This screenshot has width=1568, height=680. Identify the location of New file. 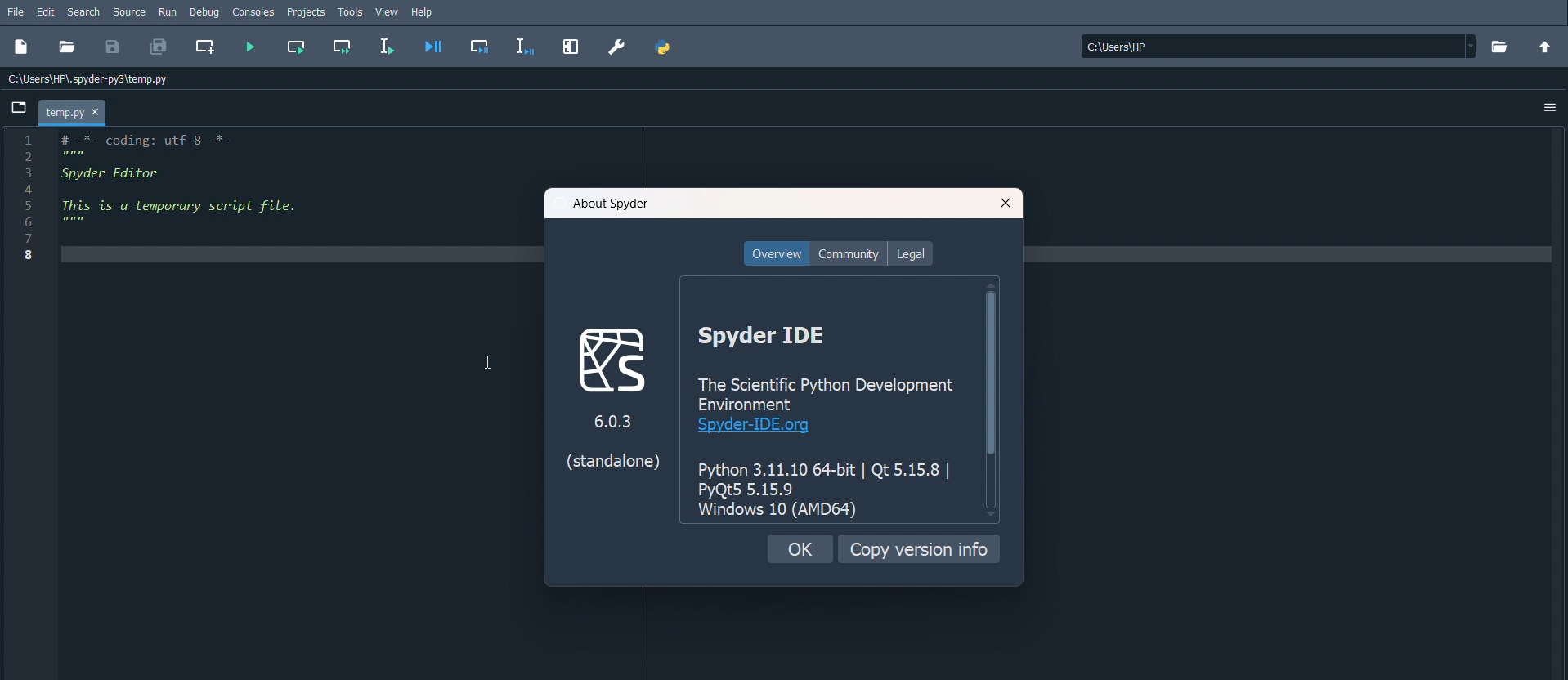
(20, 47).